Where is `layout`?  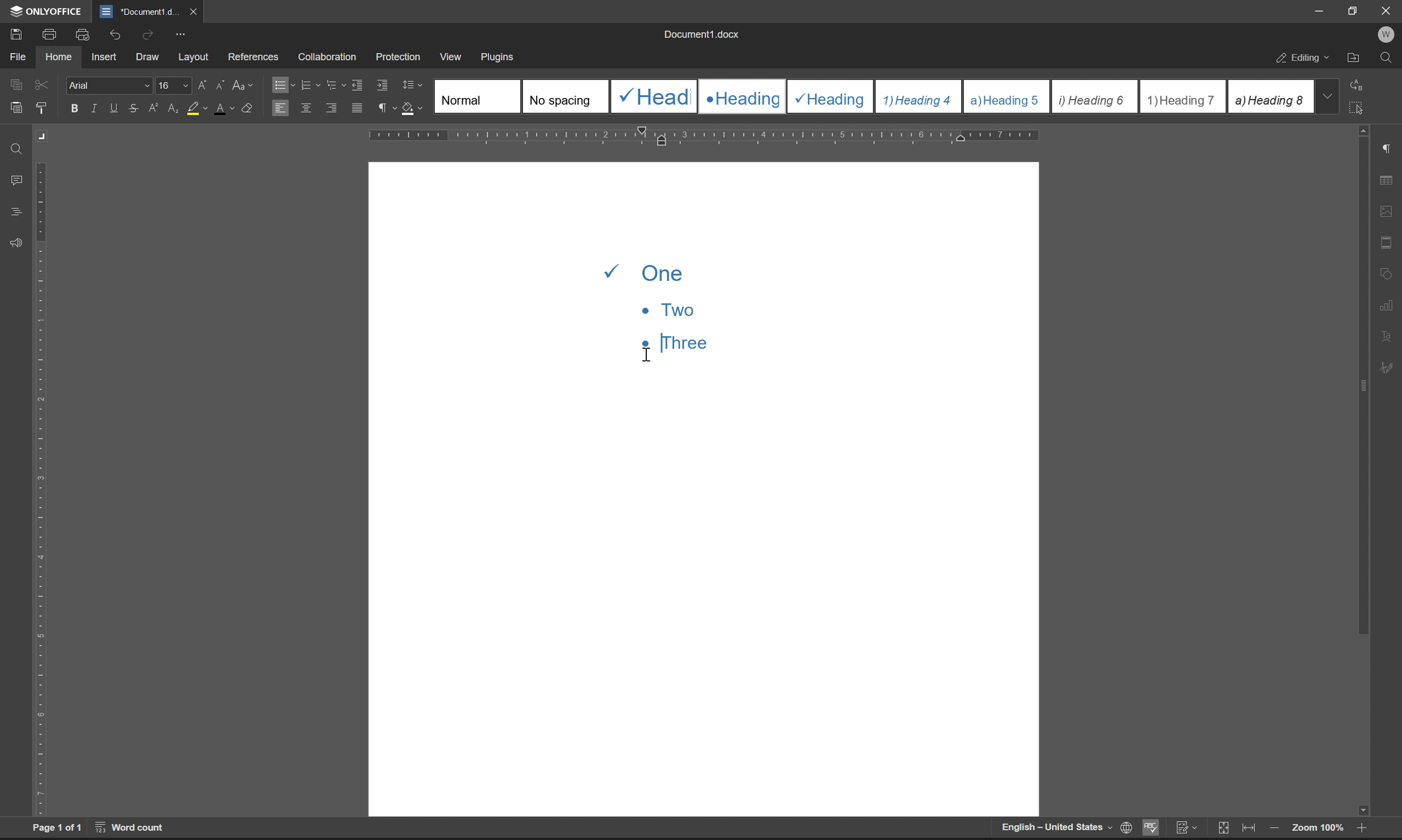 layout is located at coordinates (194, 57).